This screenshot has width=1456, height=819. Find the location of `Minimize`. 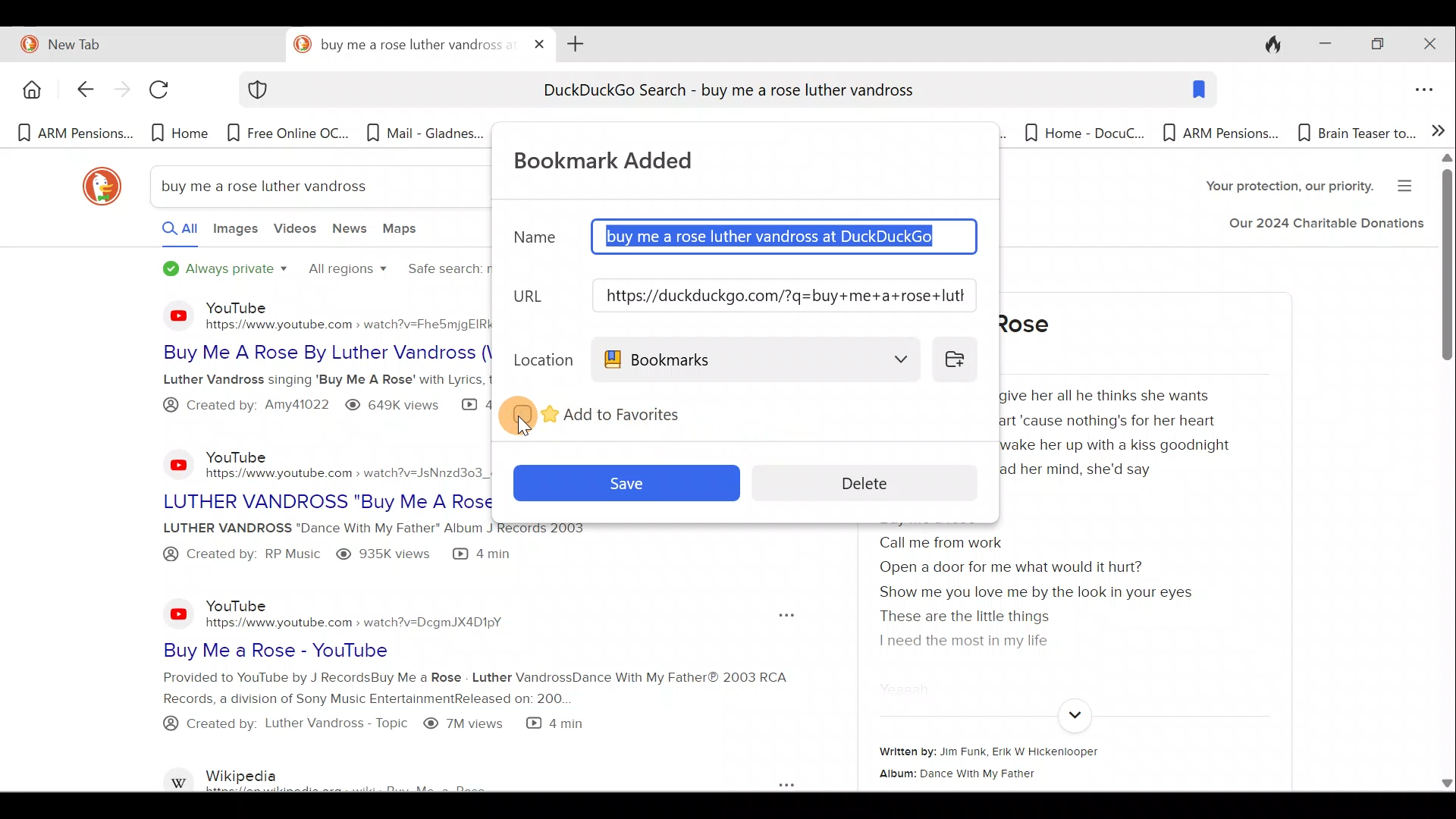

Minimize is located at coordinates (1320, 45).